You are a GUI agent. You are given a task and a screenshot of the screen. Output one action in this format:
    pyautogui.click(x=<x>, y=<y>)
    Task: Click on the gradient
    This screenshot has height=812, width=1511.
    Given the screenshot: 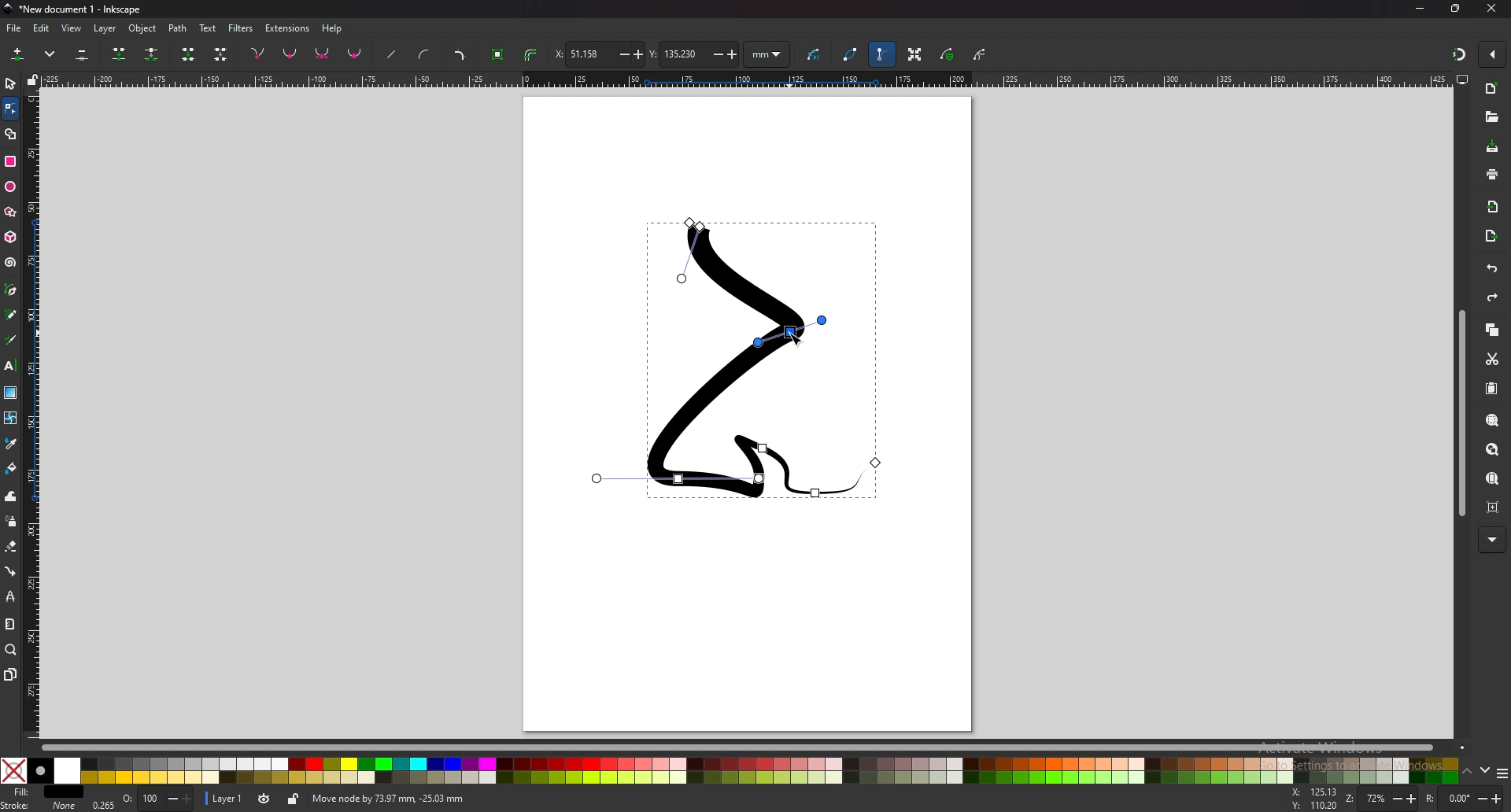 What is the action you would take?
    pyautogui.click(x=10, y=393)
    